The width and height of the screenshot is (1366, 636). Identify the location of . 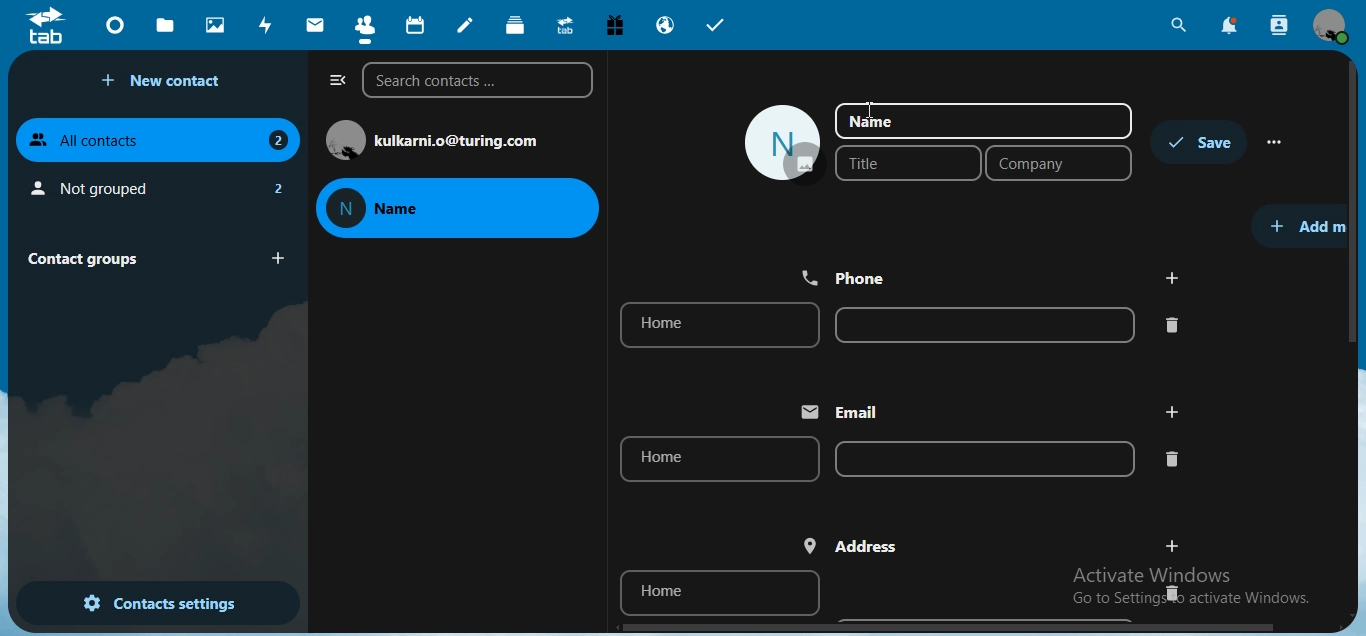
(983, 457).